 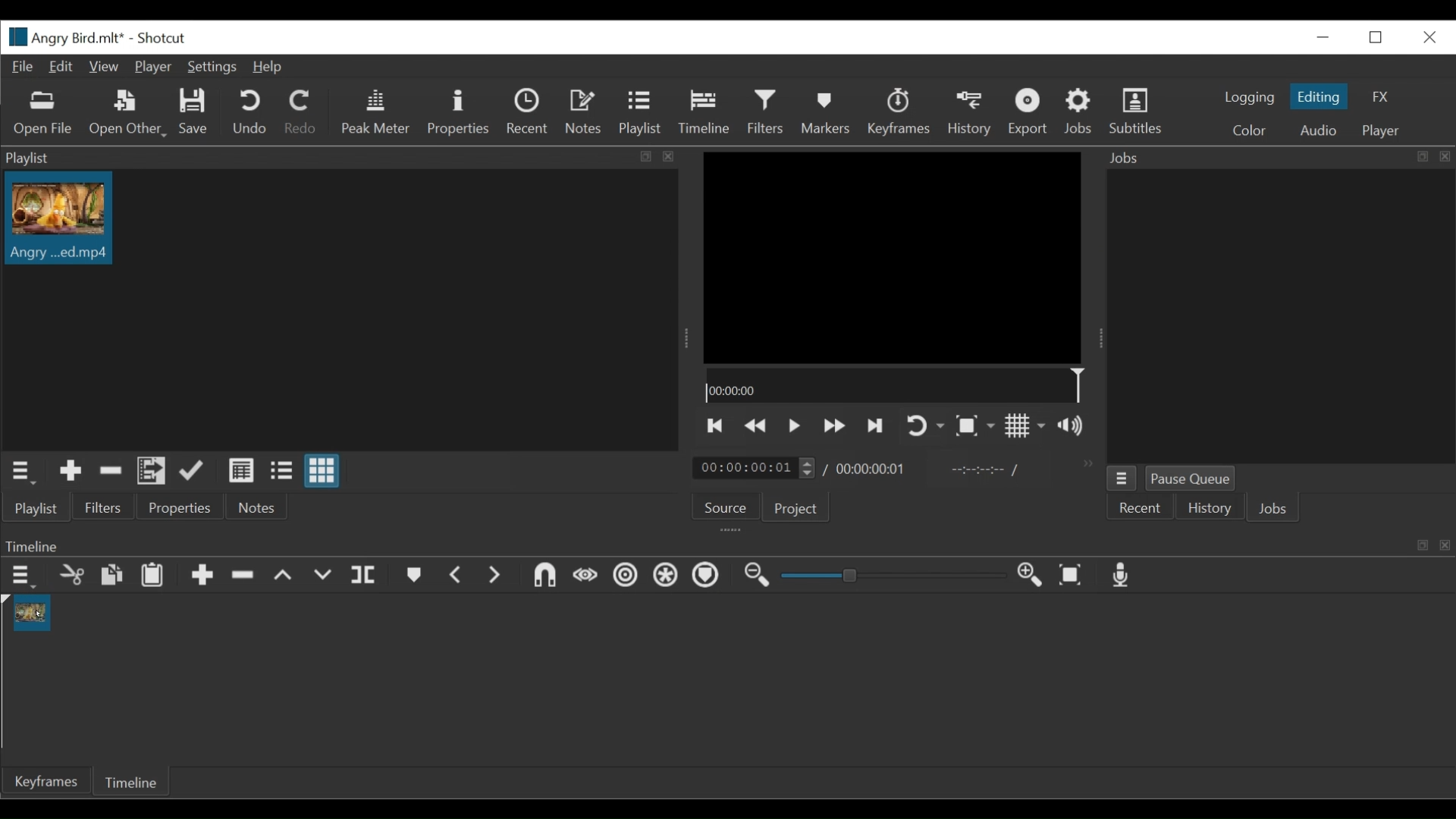 I want to click on Next Marker, so click(x=494, y=576).